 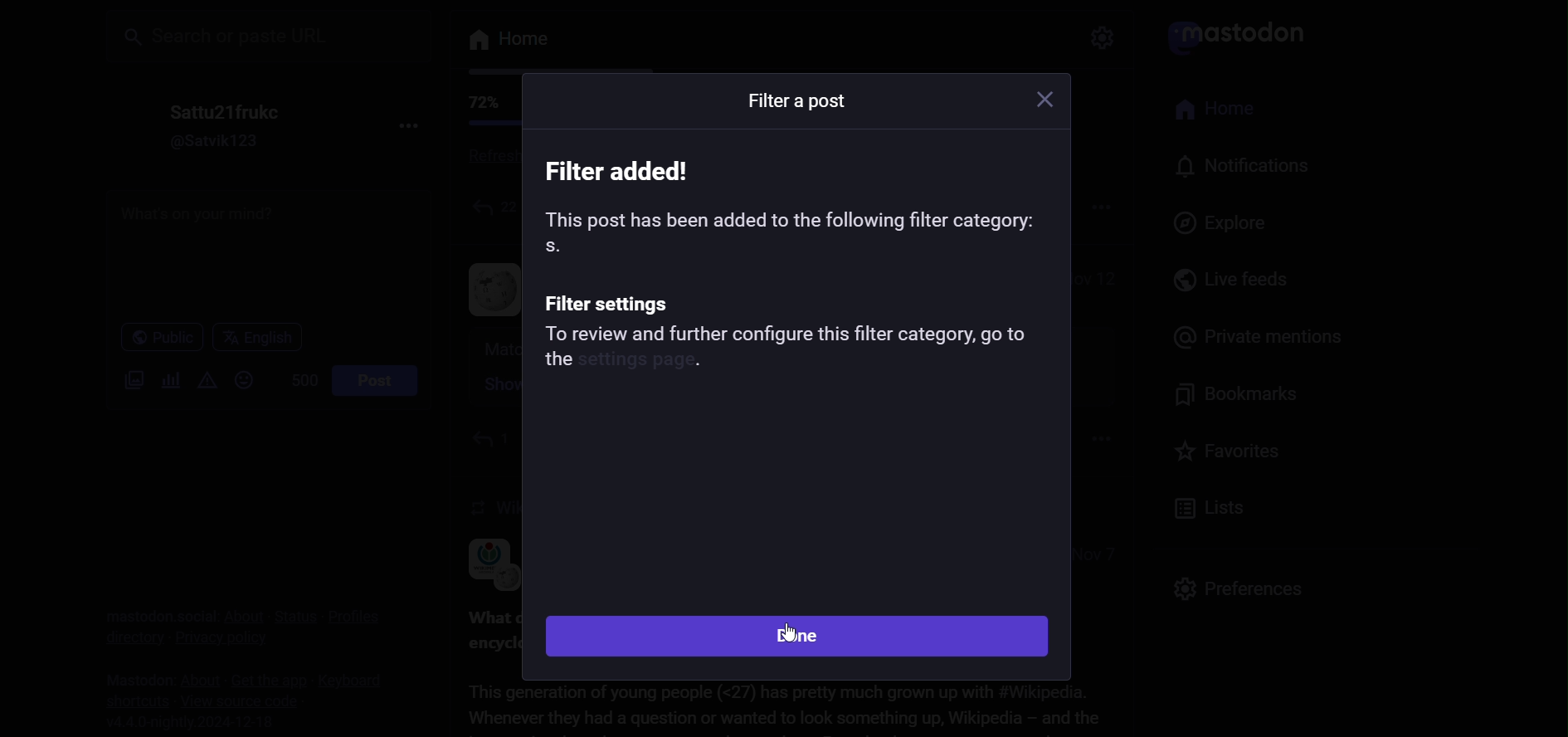 What do you see at coordinates (1237, 586) in the screenshot?
I see `preferences` at bounding box center [1237, 586].